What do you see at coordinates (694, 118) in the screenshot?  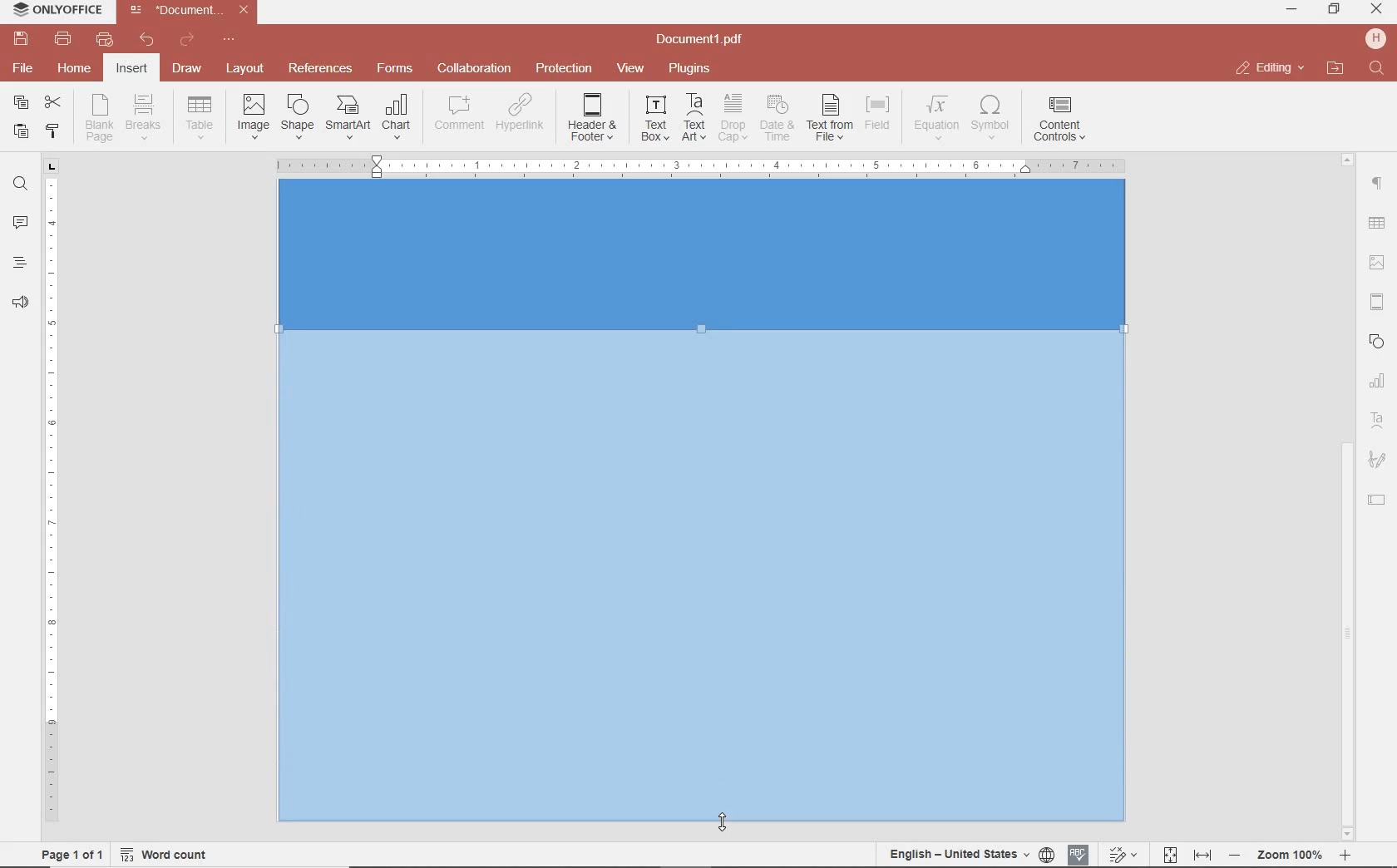 I see `INSERT TEXT ART` at bounding box center [694, 118].